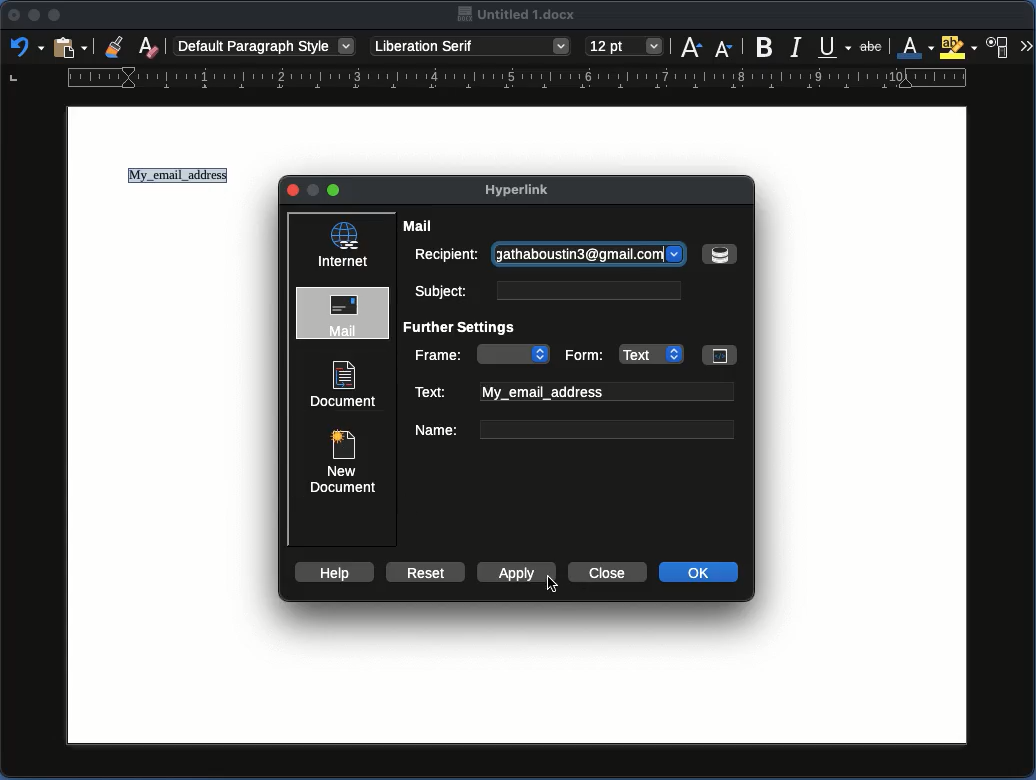 The height and width of the screenshot is (780, 1036). What do you see at coordinates (444, 255) in the screenshot?
I see `Recipient` at bounding box center [444, 255].